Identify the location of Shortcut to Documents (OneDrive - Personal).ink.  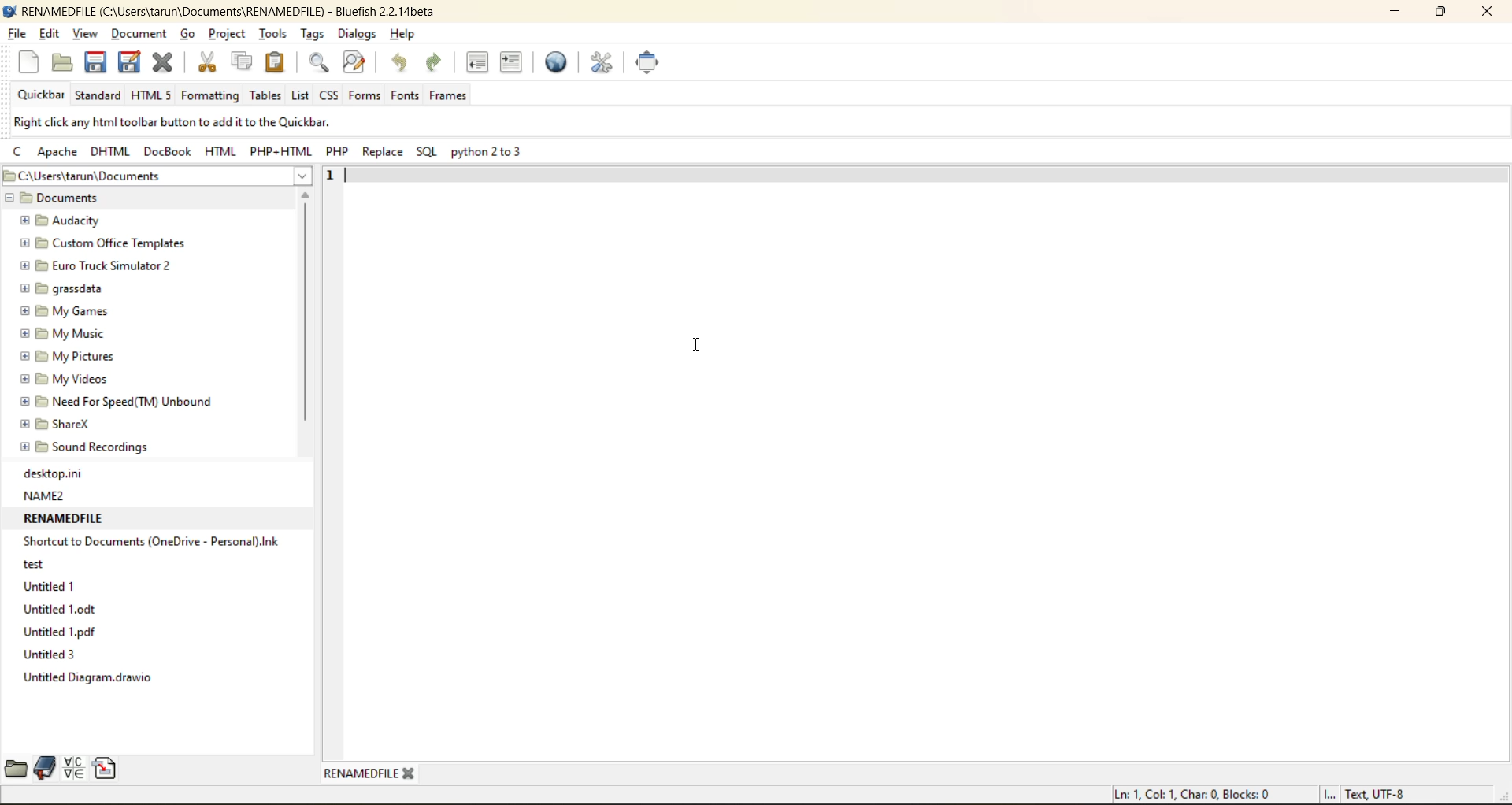
(150, 540).